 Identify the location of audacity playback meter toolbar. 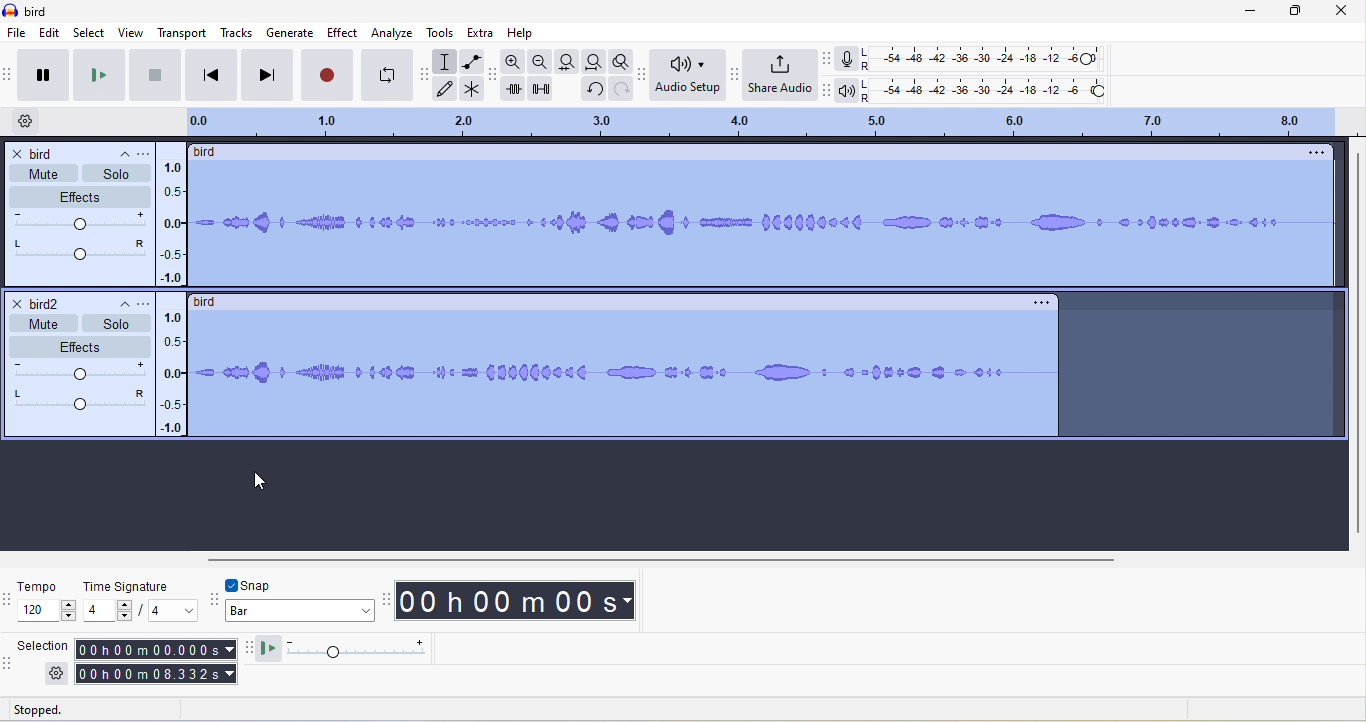
(829, 90).